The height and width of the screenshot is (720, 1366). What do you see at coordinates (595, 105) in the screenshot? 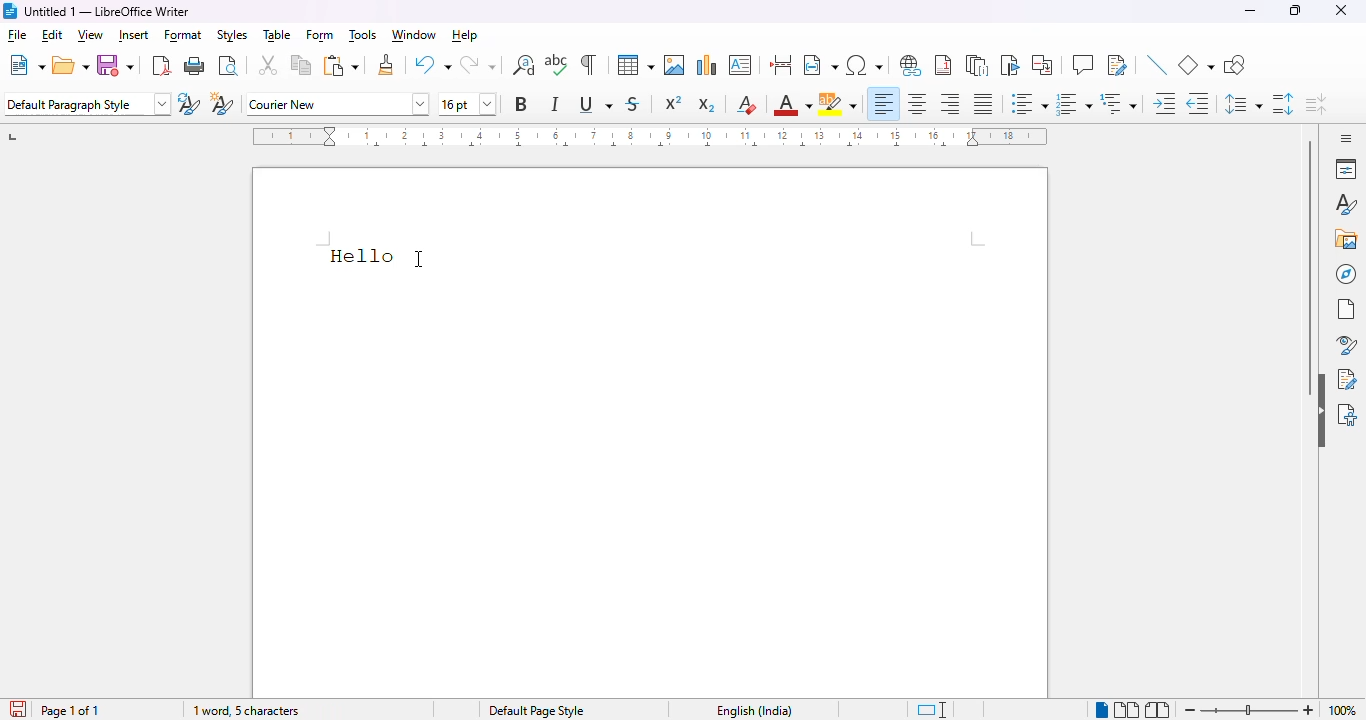
I see `underline` at bounding box center [595, 105].